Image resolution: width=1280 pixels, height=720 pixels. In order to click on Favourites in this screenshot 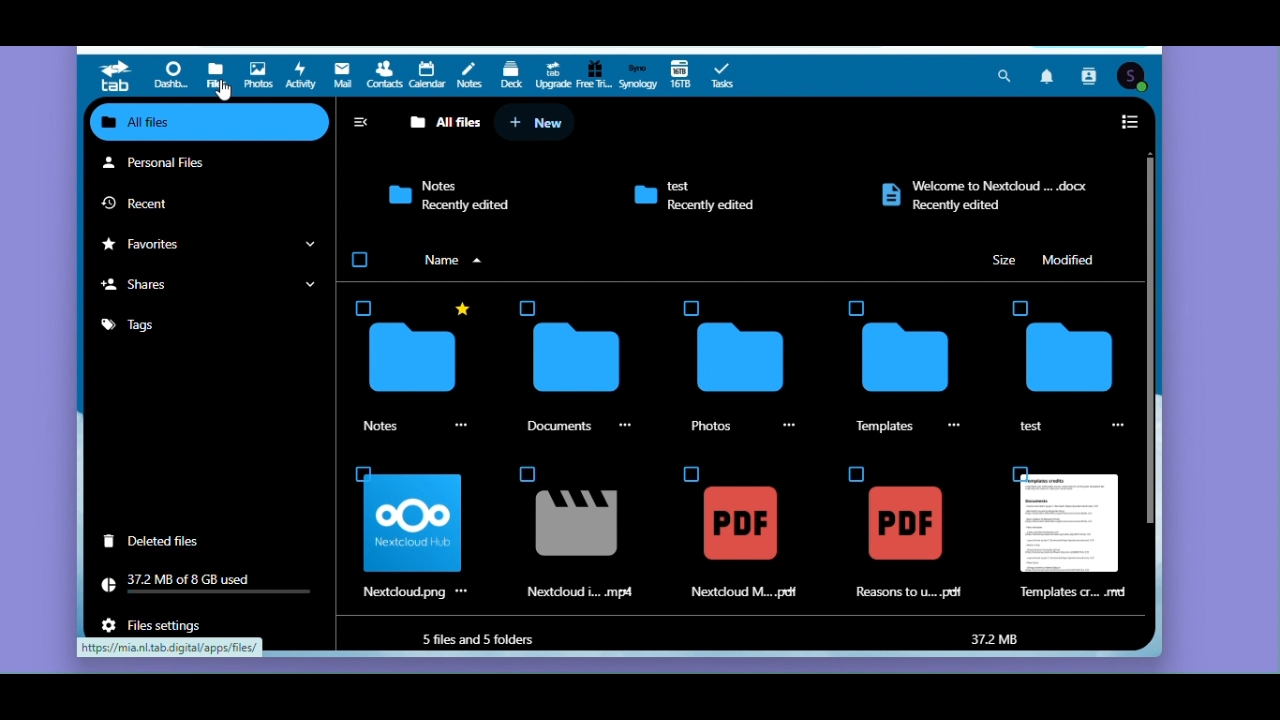, I will do `click(205, 245)`.